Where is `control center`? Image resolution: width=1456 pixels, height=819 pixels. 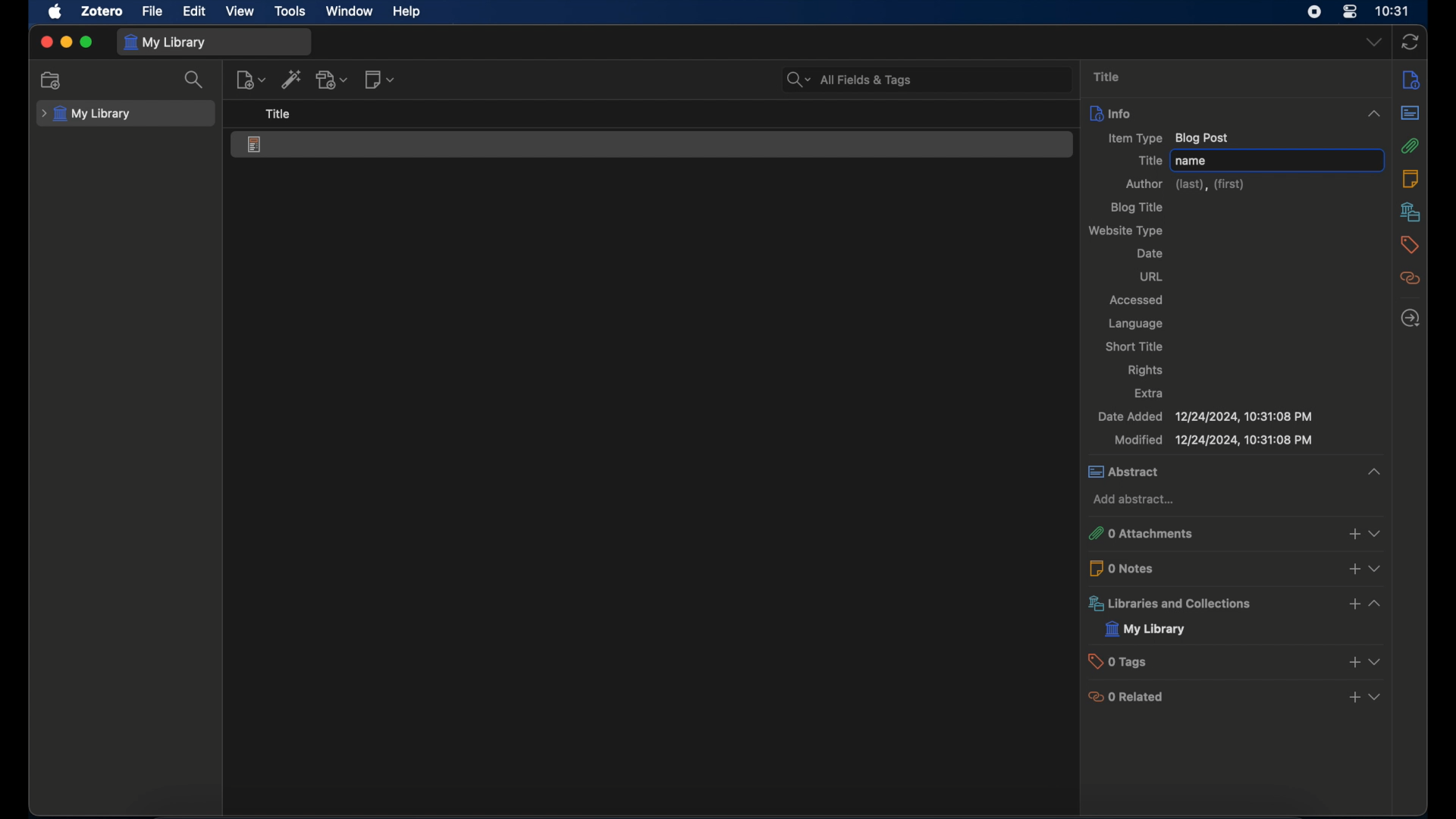 control center is located at coordinates (1351, 11).